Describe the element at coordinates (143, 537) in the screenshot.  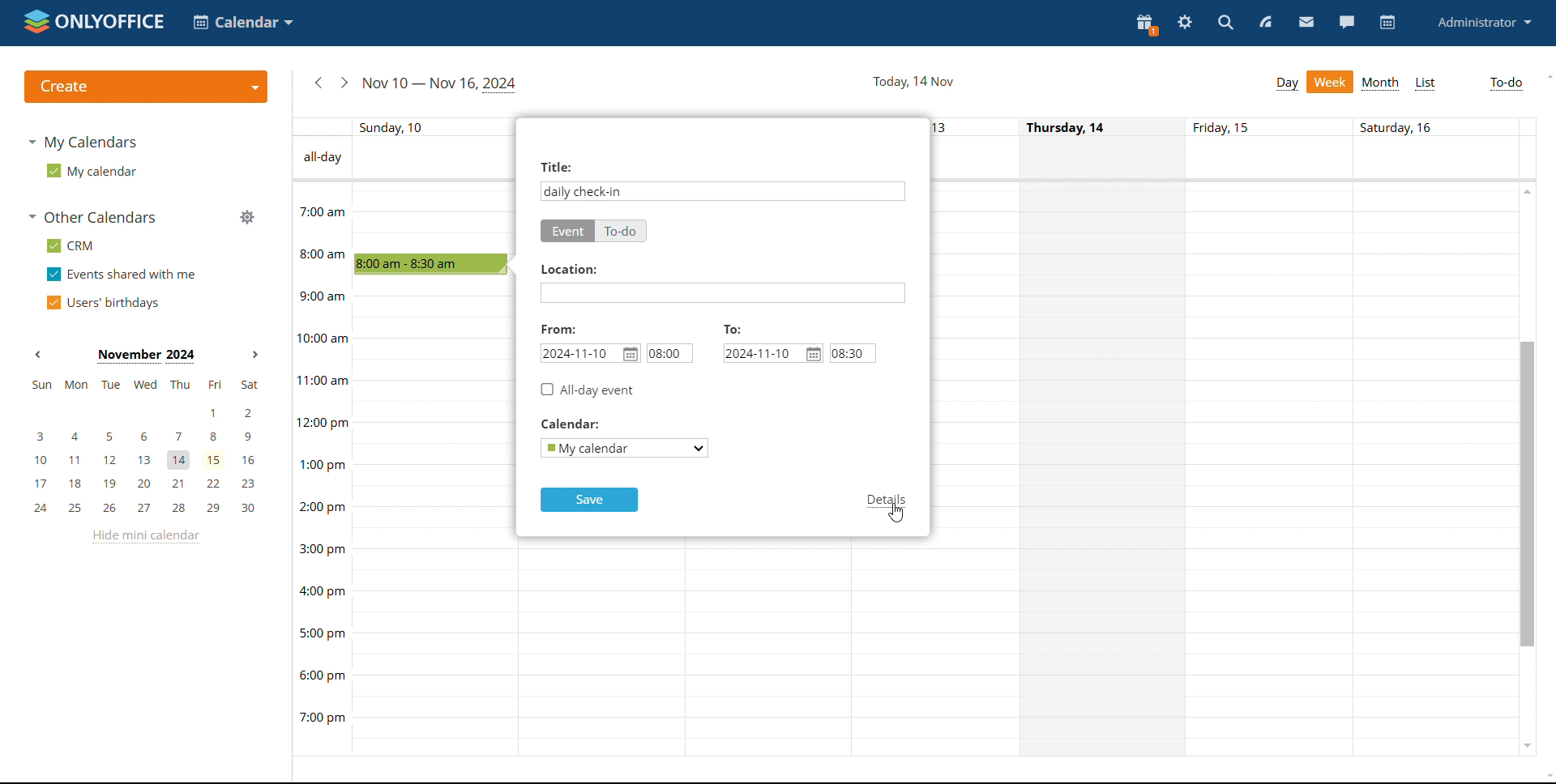
I see `hide mini calendar` at that location.